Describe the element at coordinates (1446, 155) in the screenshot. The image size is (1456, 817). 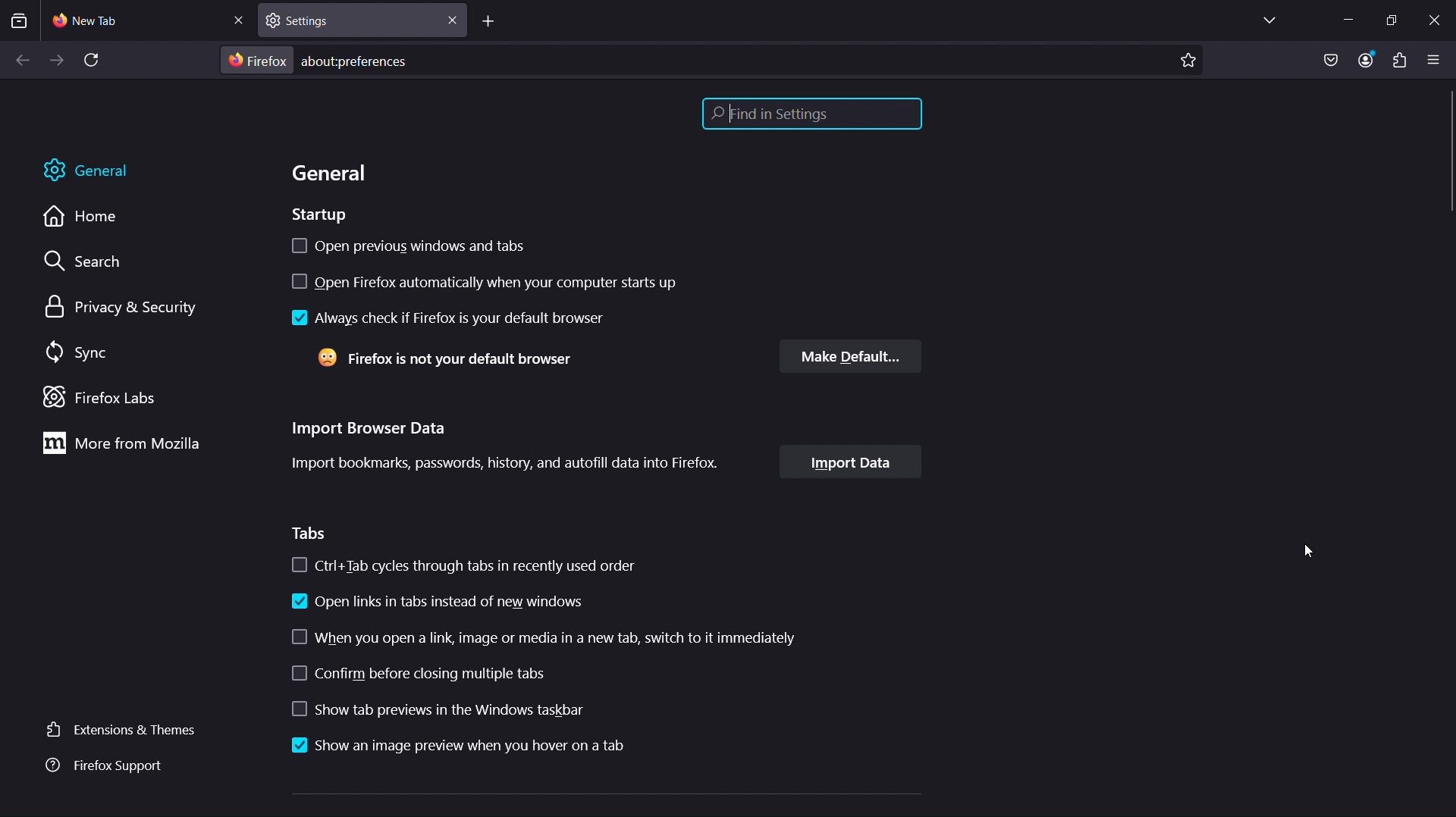
I see `Scrollbar` at that location.